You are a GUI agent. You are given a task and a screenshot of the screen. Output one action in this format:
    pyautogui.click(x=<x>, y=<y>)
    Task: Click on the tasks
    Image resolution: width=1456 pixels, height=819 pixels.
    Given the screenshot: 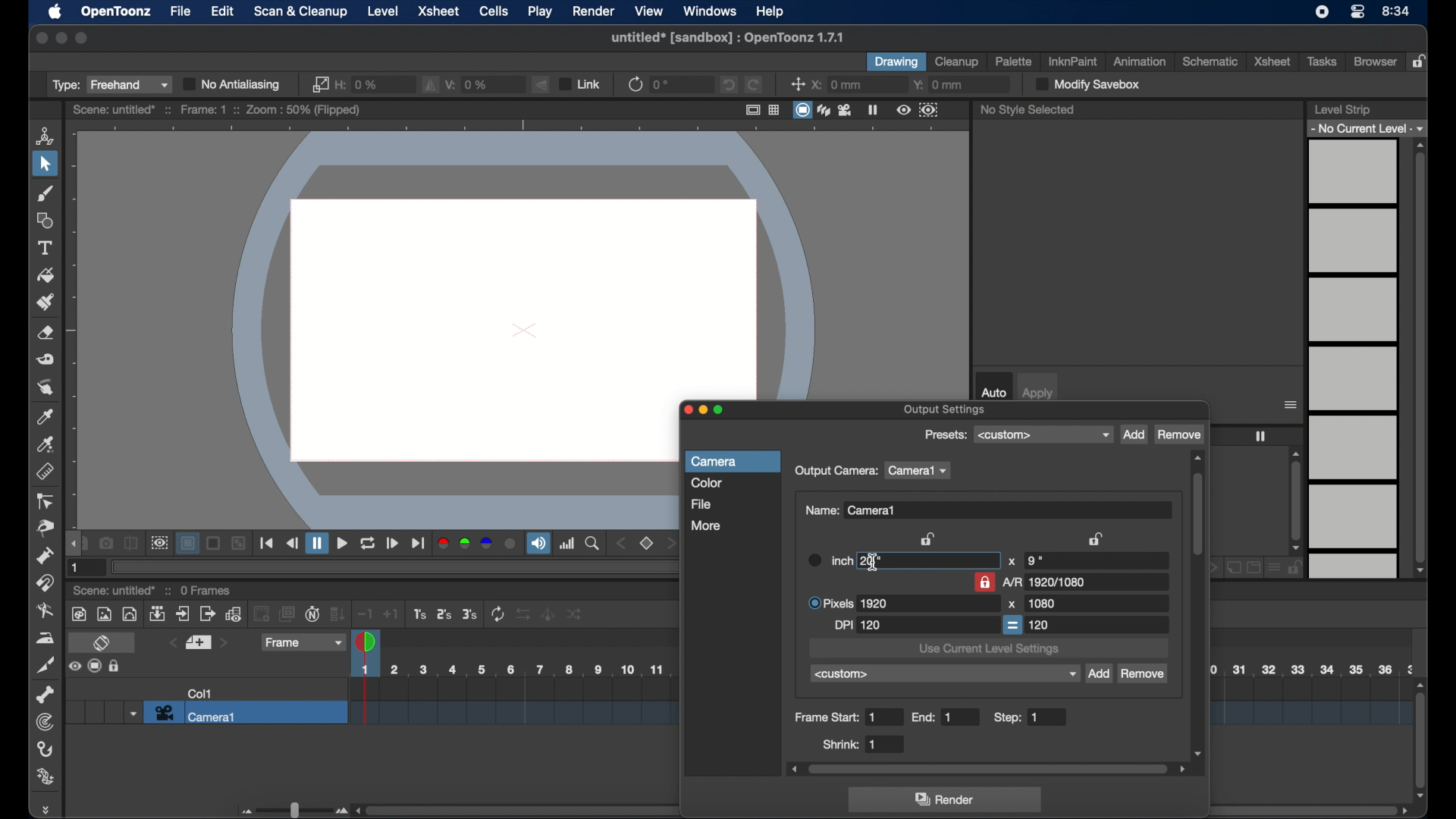 What is the action you would take?
    pyautogui.click(x=1324, y=61)
    